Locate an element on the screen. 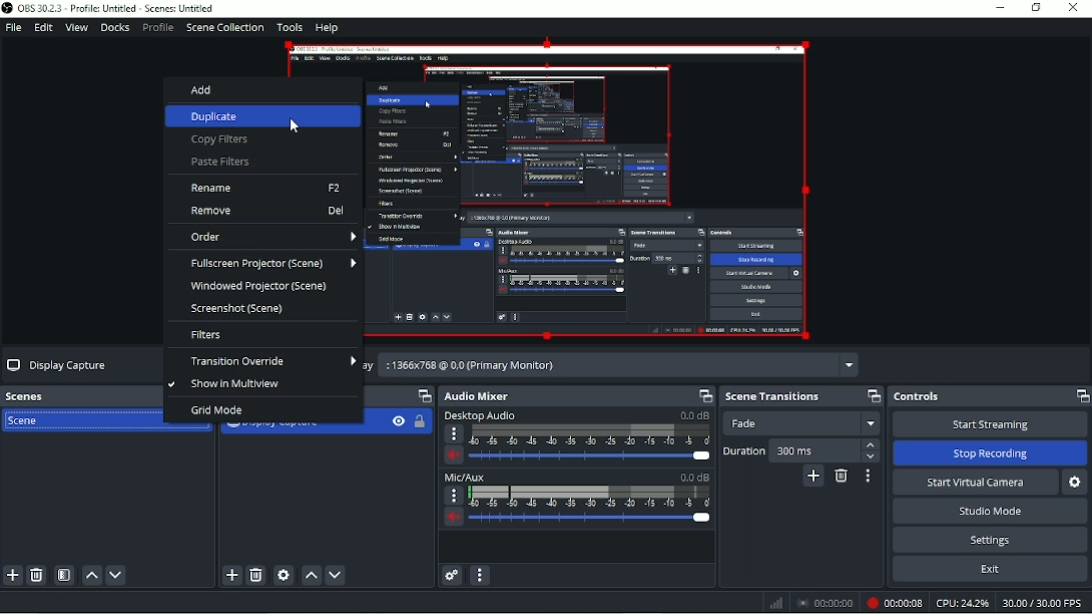  Network is located at coordinates (776, 604).